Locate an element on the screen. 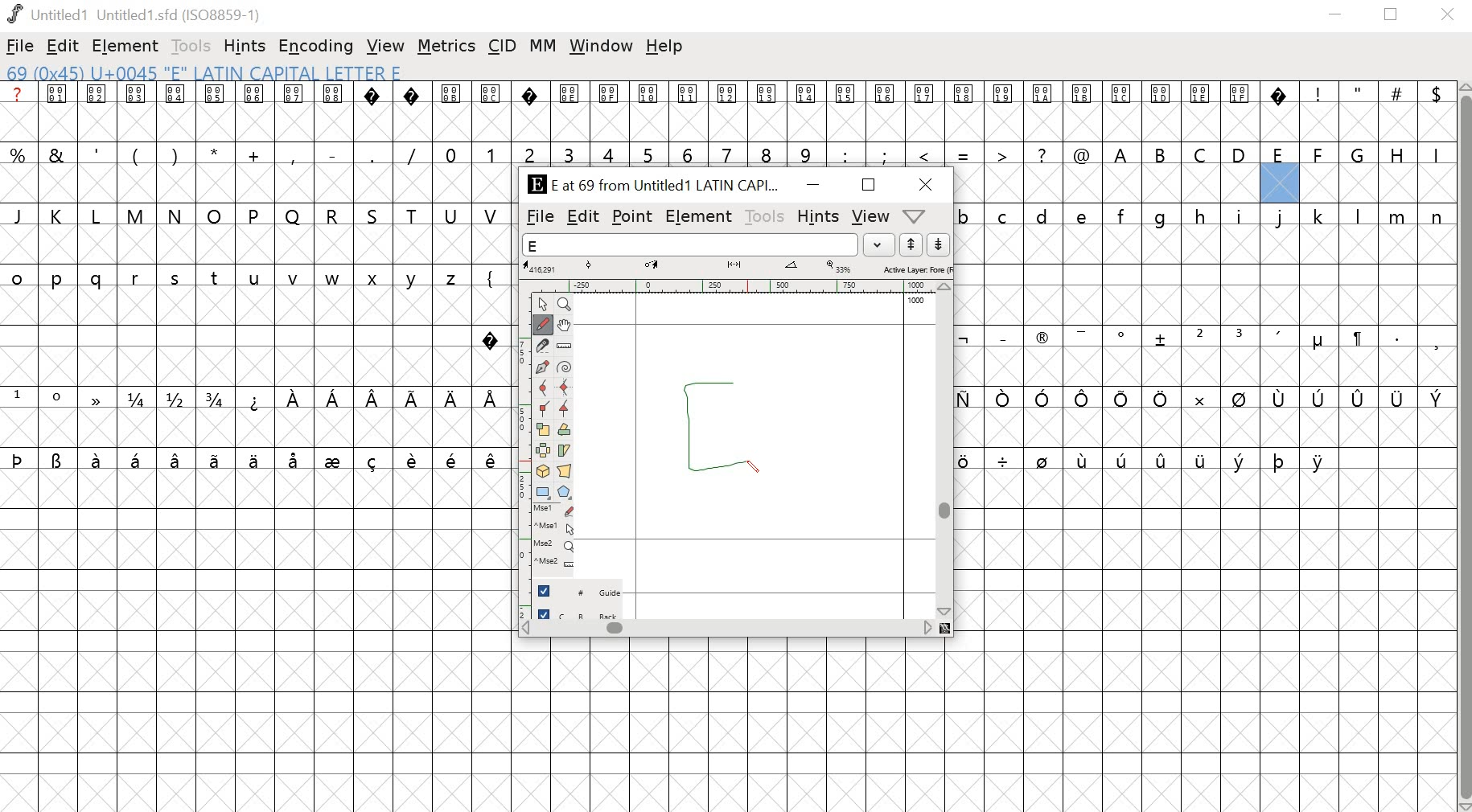 This screenshot has height=812, width=1472. scrollbar is located at coordinates (948, 450).